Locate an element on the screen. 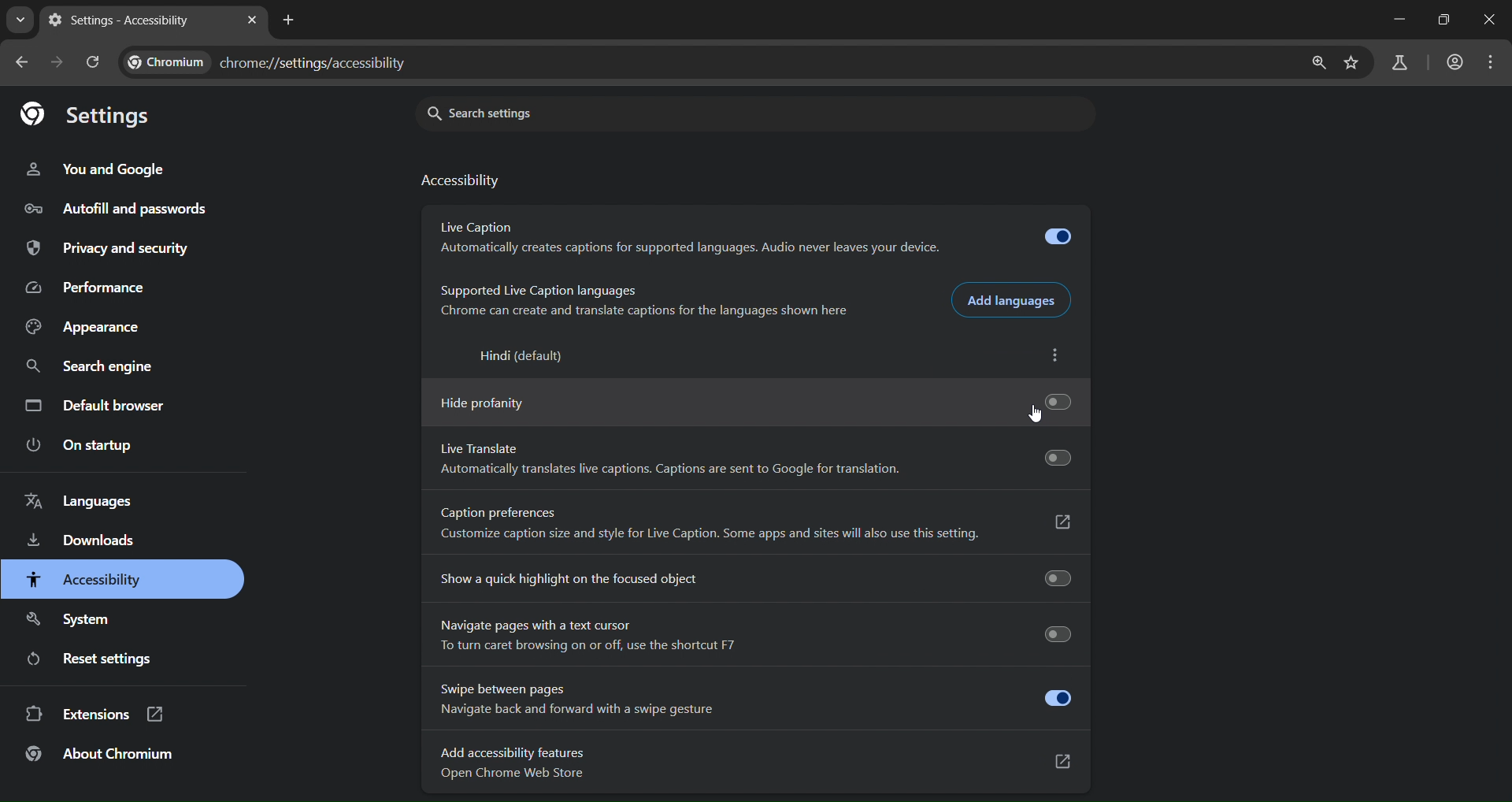 The image size is (1512, 802). zoom is located at coordinates (1314, 64).